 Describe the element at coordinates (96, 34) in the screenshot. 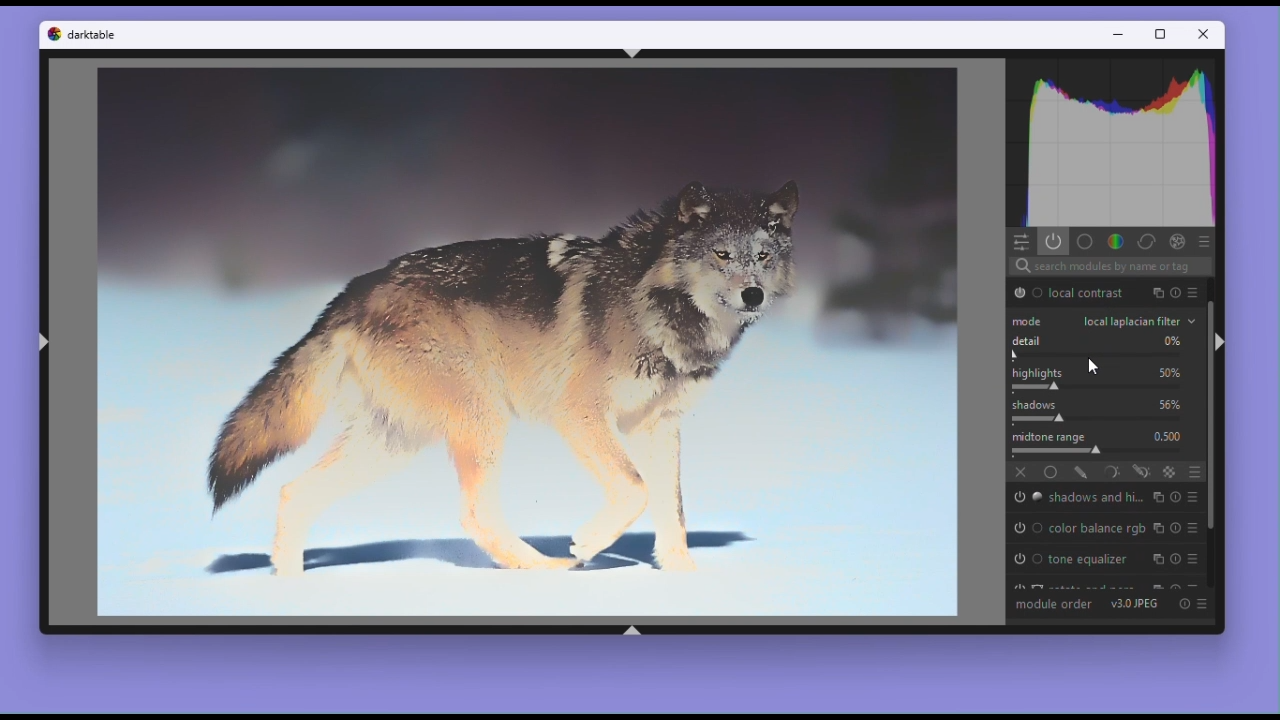

I see `darktable` at that location.